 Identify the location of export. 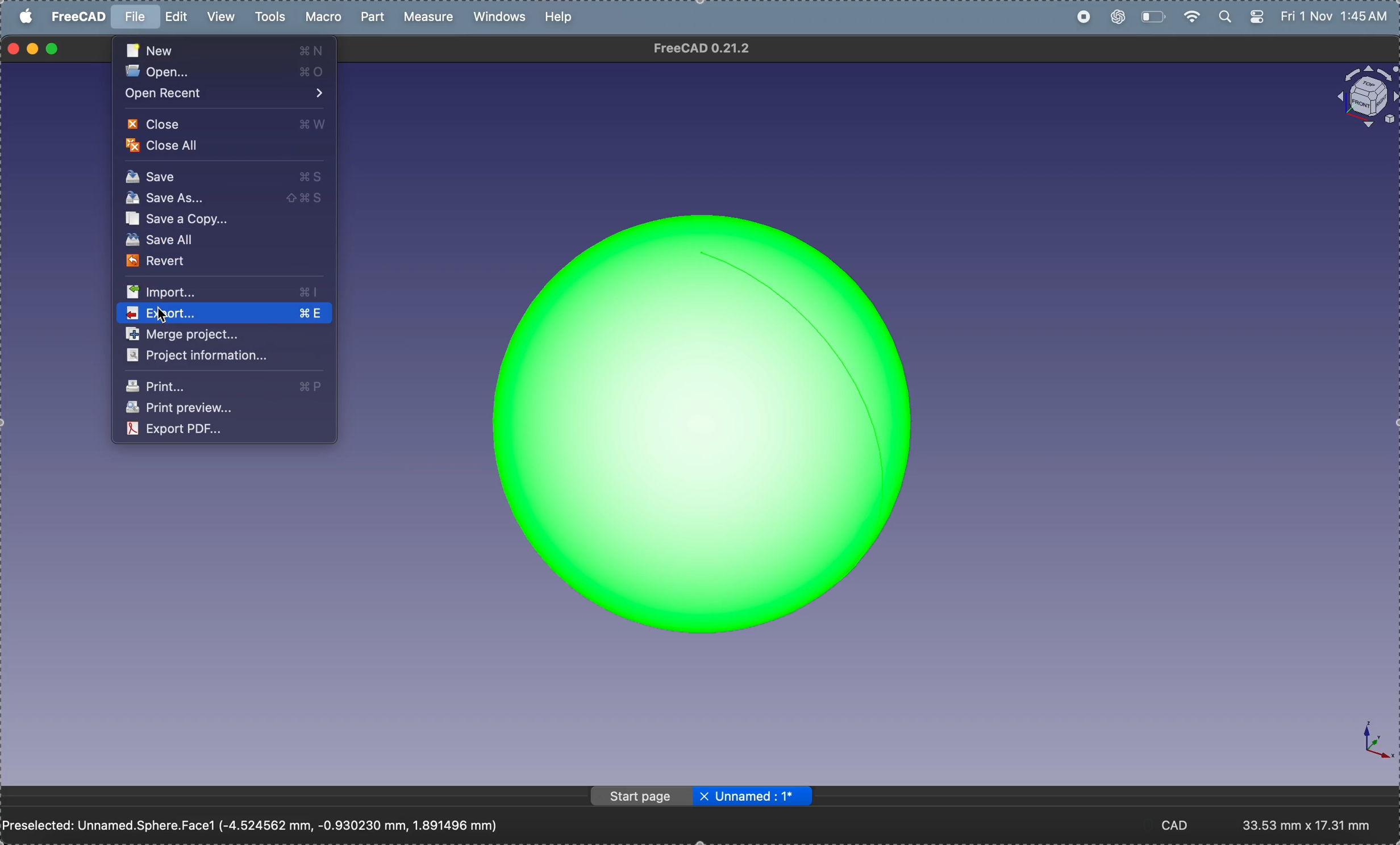
(224, 313).